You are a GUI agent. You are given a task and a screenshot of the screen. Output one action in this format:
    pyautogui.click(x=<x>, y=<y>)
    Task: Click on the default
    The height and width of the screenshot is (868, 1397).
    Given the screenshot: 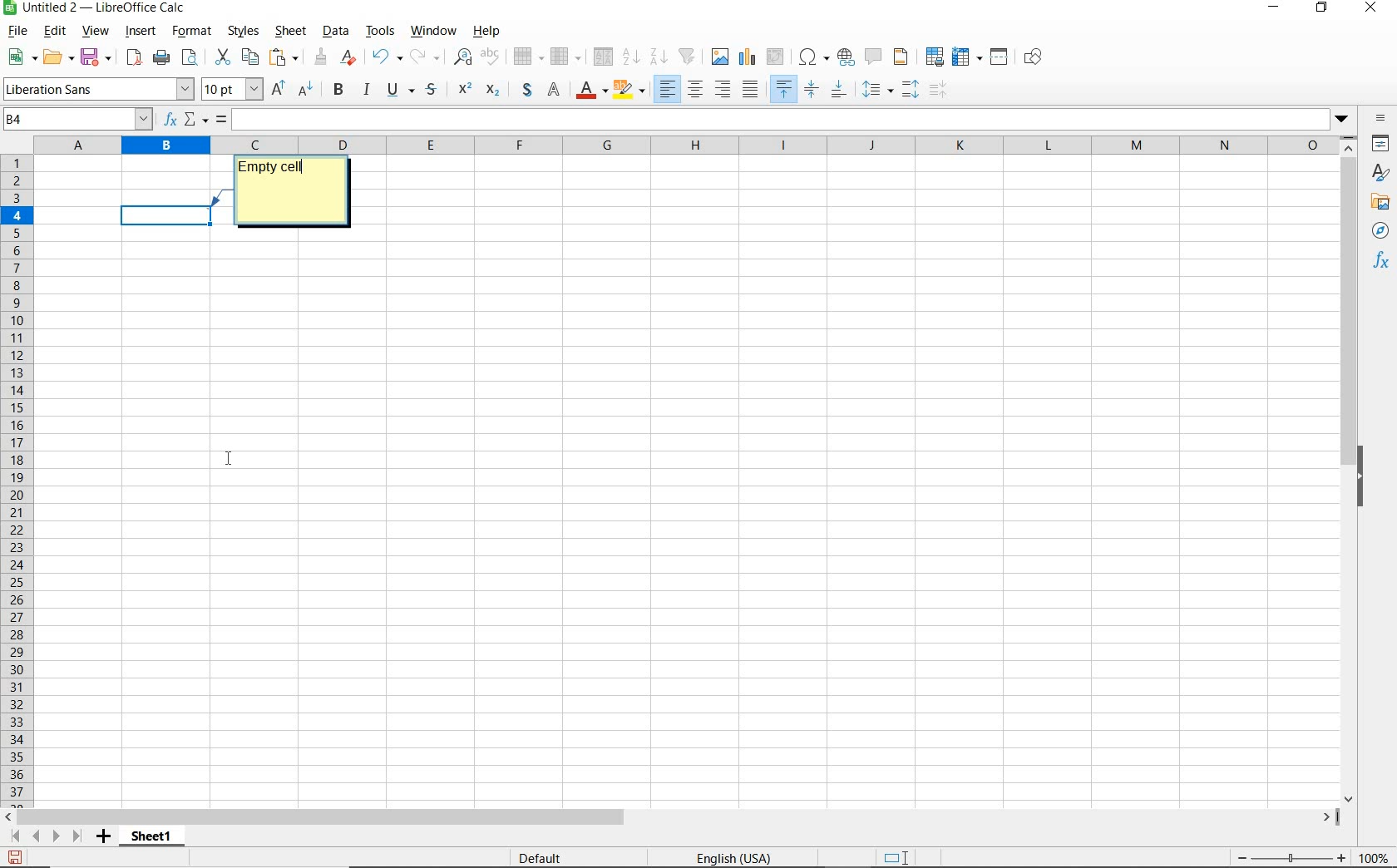 What is the action you would take?
    pyautogui.click(x=549, y=858)
    